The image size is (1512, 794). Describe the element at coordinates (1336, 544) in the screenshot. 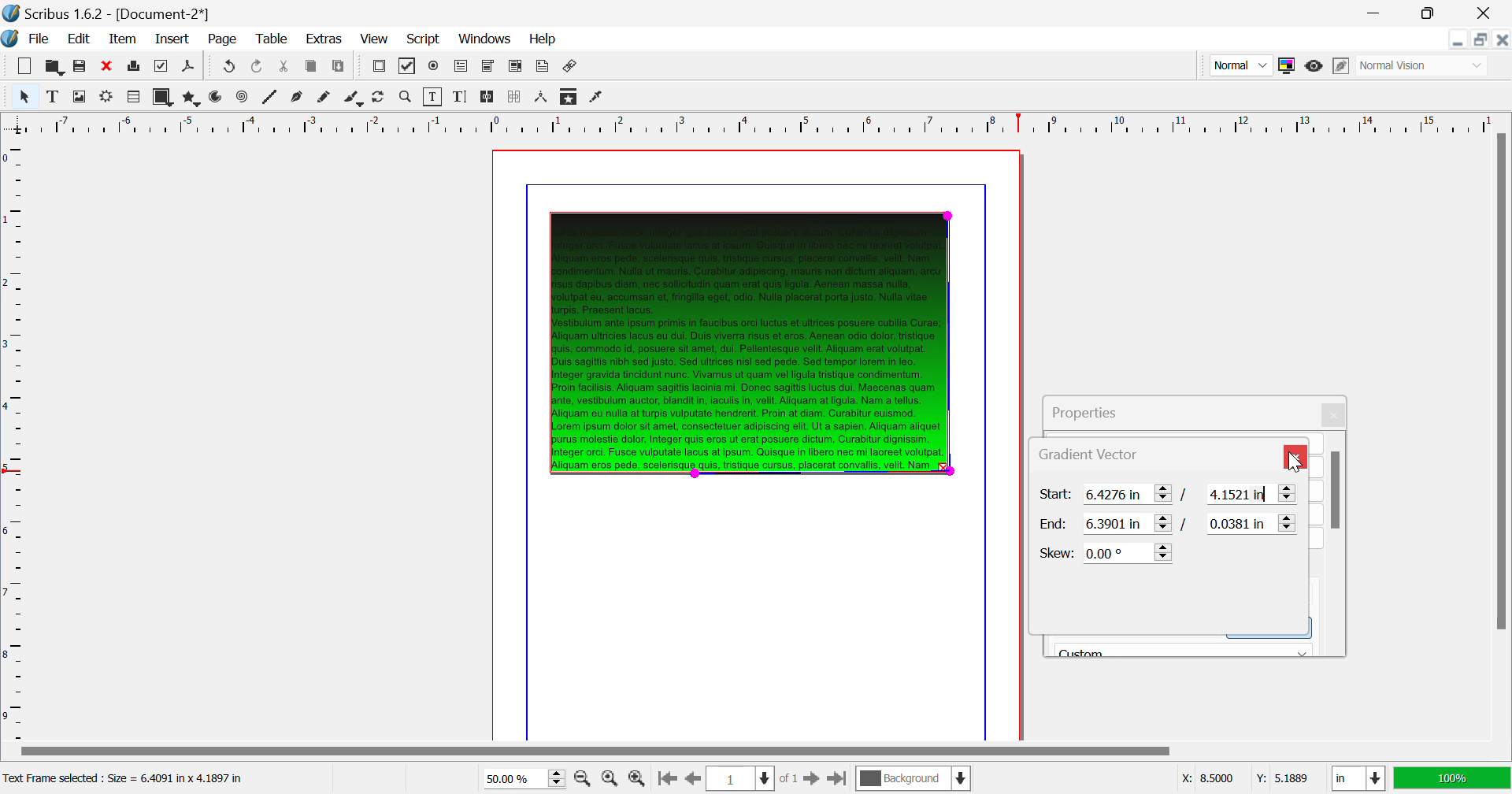

I see `Scroll Bar` at that location.